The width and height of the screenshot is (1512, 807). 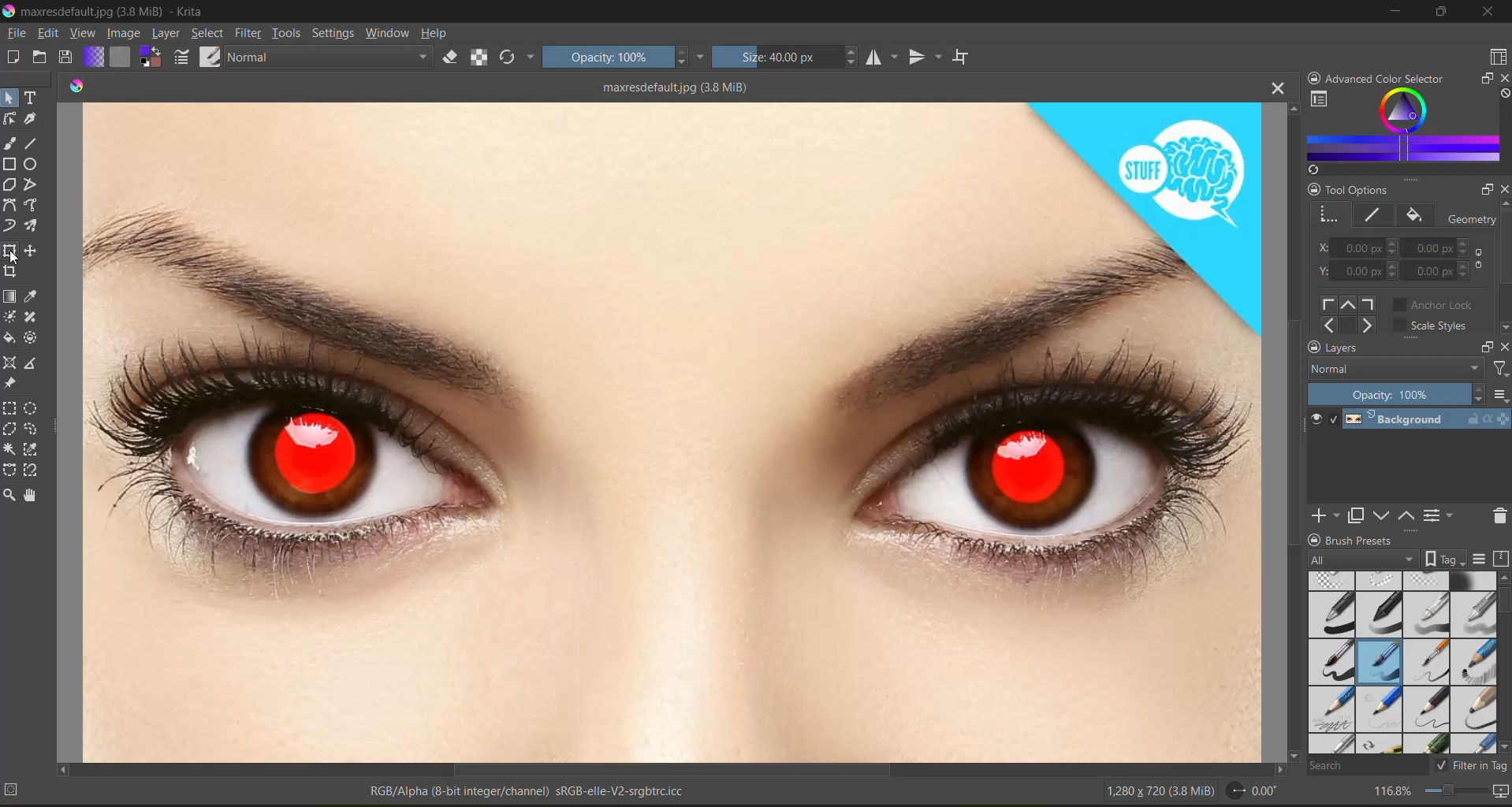 I want to click on fill gradients, so click(x=99, y=57).